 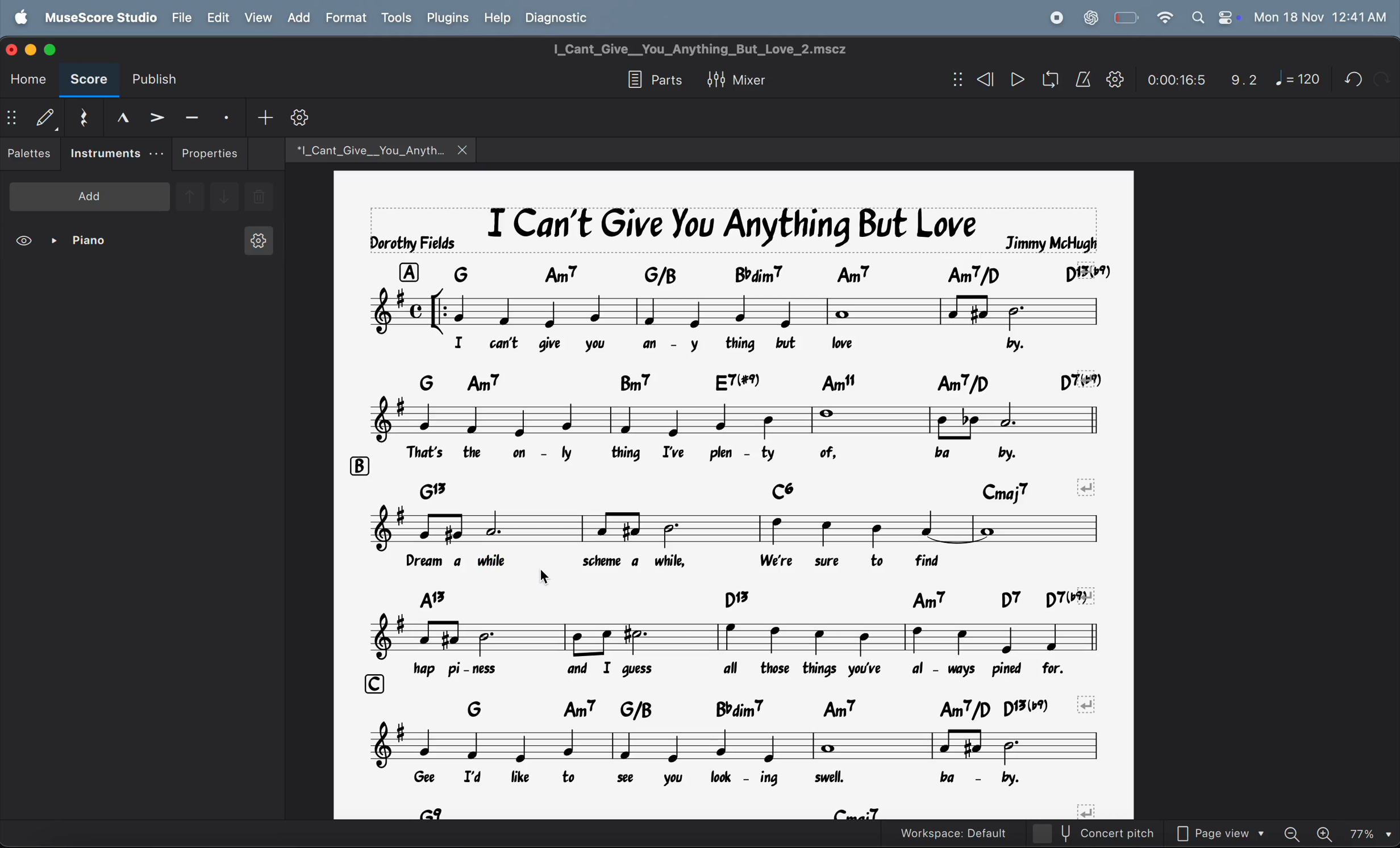 I want to click on add, so click(x=87, y=197).